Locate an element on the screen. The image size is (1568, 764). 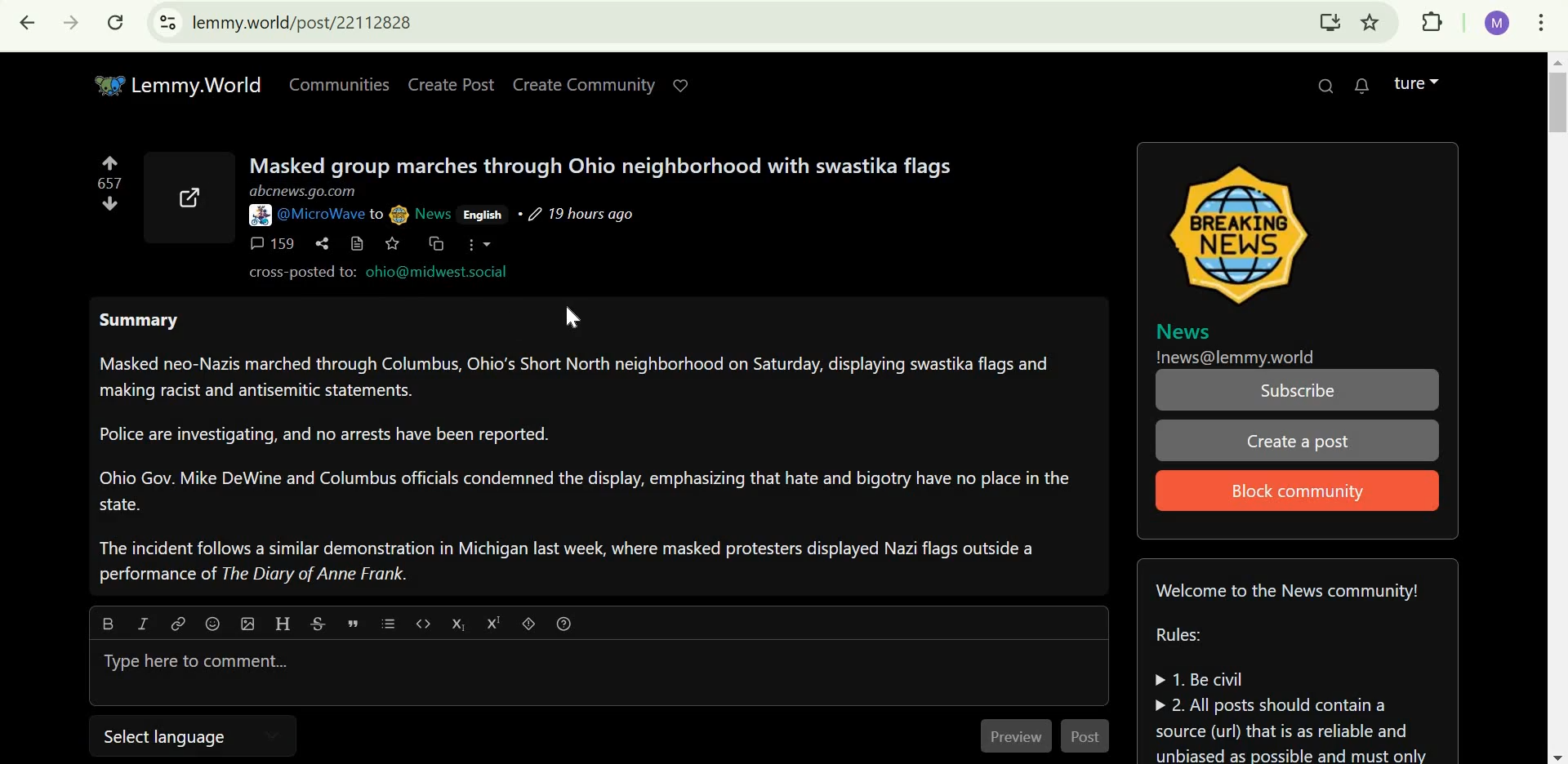
Click to go back, hold to see history is located at coordinates (30, 24).